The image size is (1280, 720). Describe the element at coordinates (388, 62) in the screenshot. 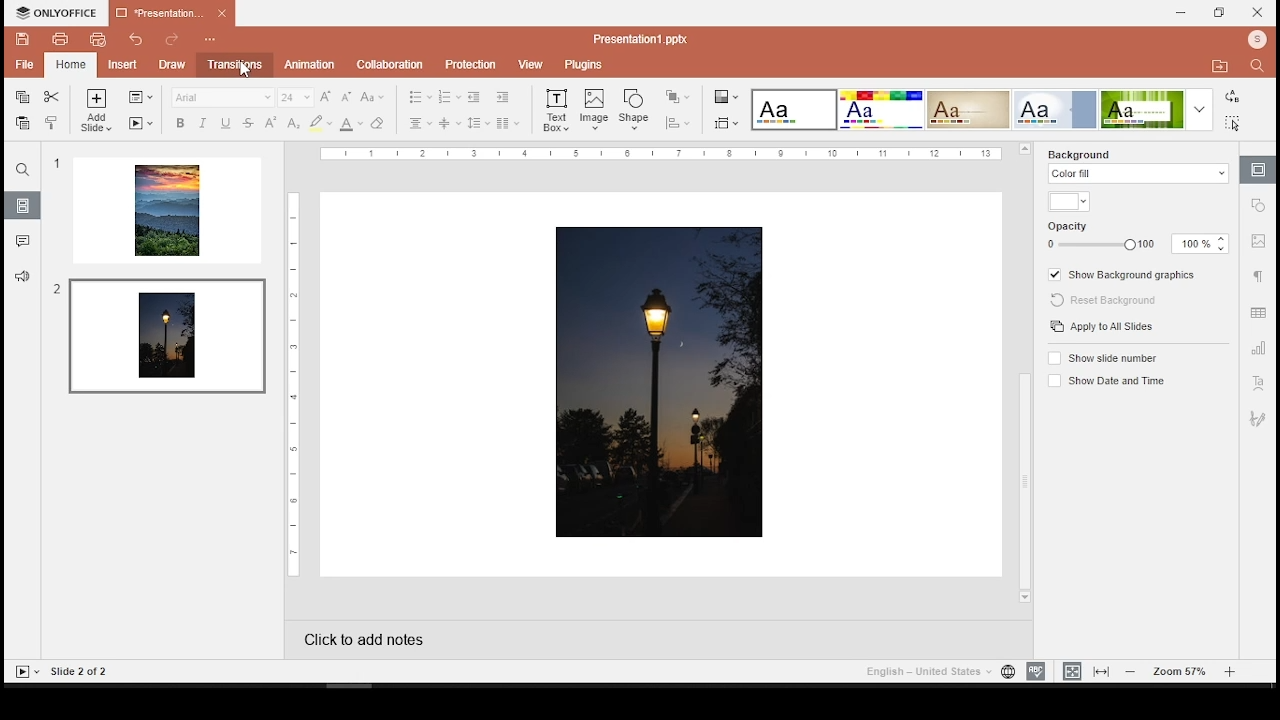

I see `collaboration` at that location.